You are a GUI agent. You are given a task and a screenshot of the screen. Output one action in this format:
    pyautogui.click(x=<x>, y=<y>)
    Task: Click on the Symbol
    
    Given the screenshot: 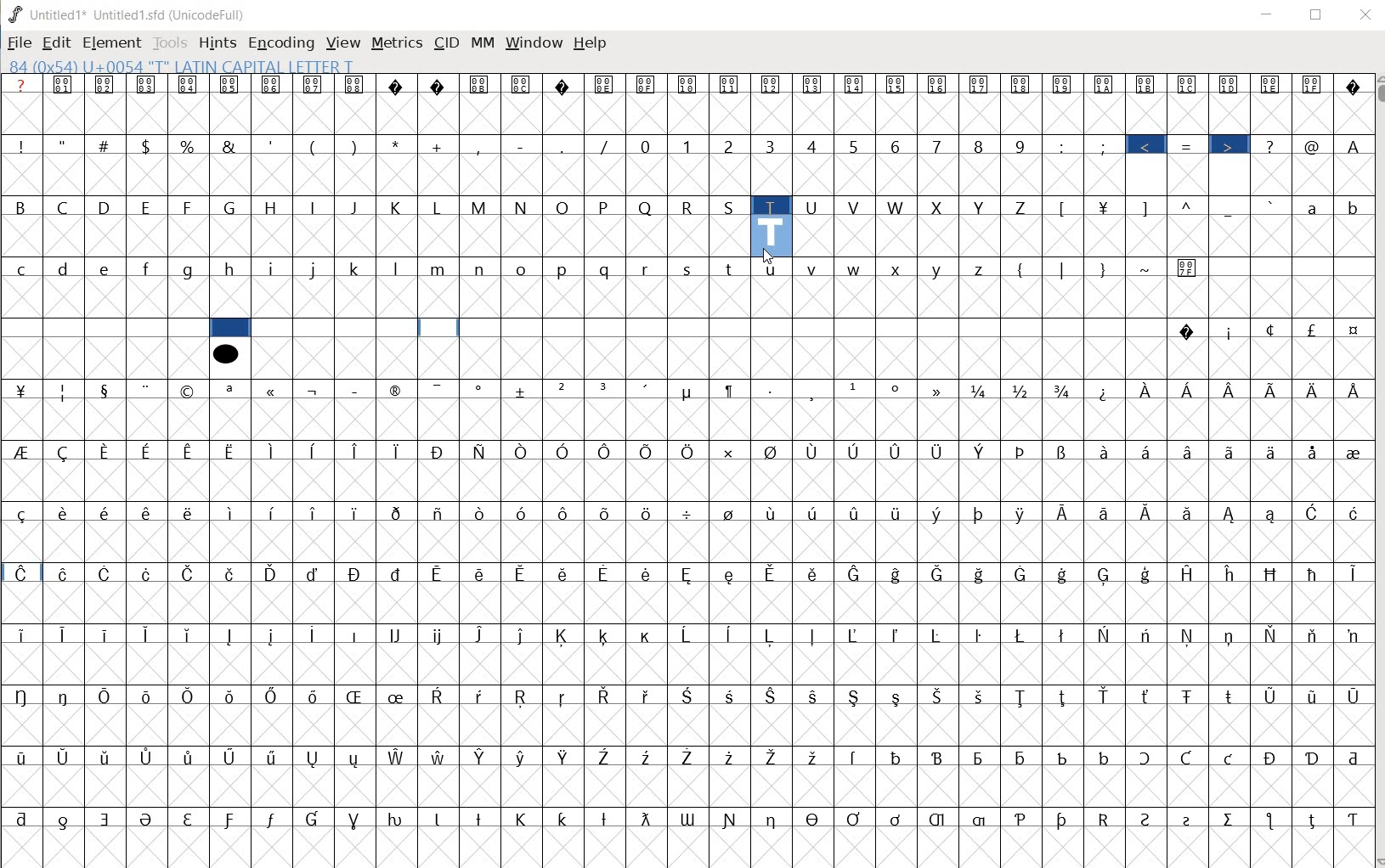 What is the action you would take?
    pyautogui.click(x=523, y=572)
    